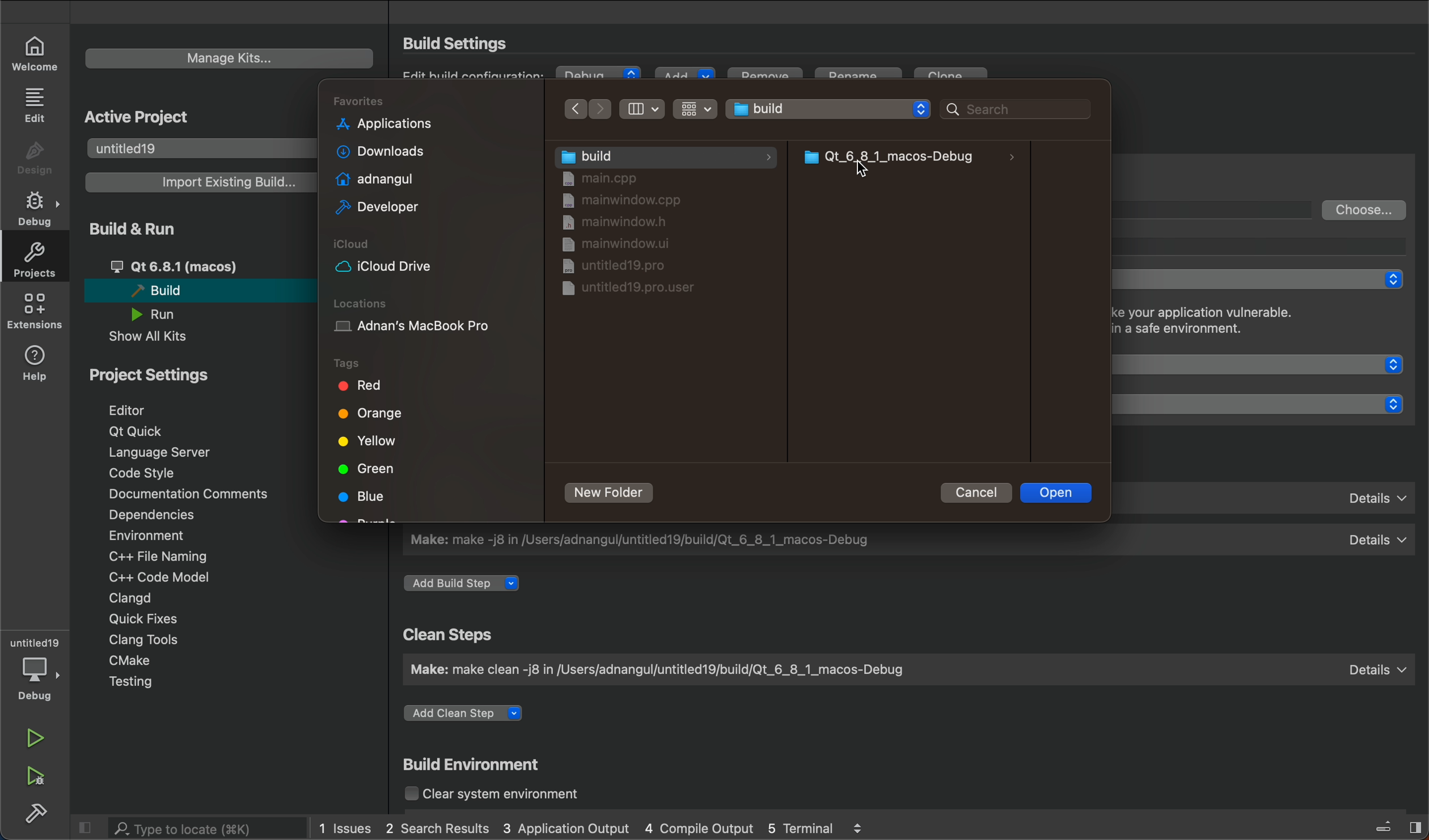  What do you see at coordinates (611, 493) in the screenshot?
I see `new folder` at bounding box center [611, 493].